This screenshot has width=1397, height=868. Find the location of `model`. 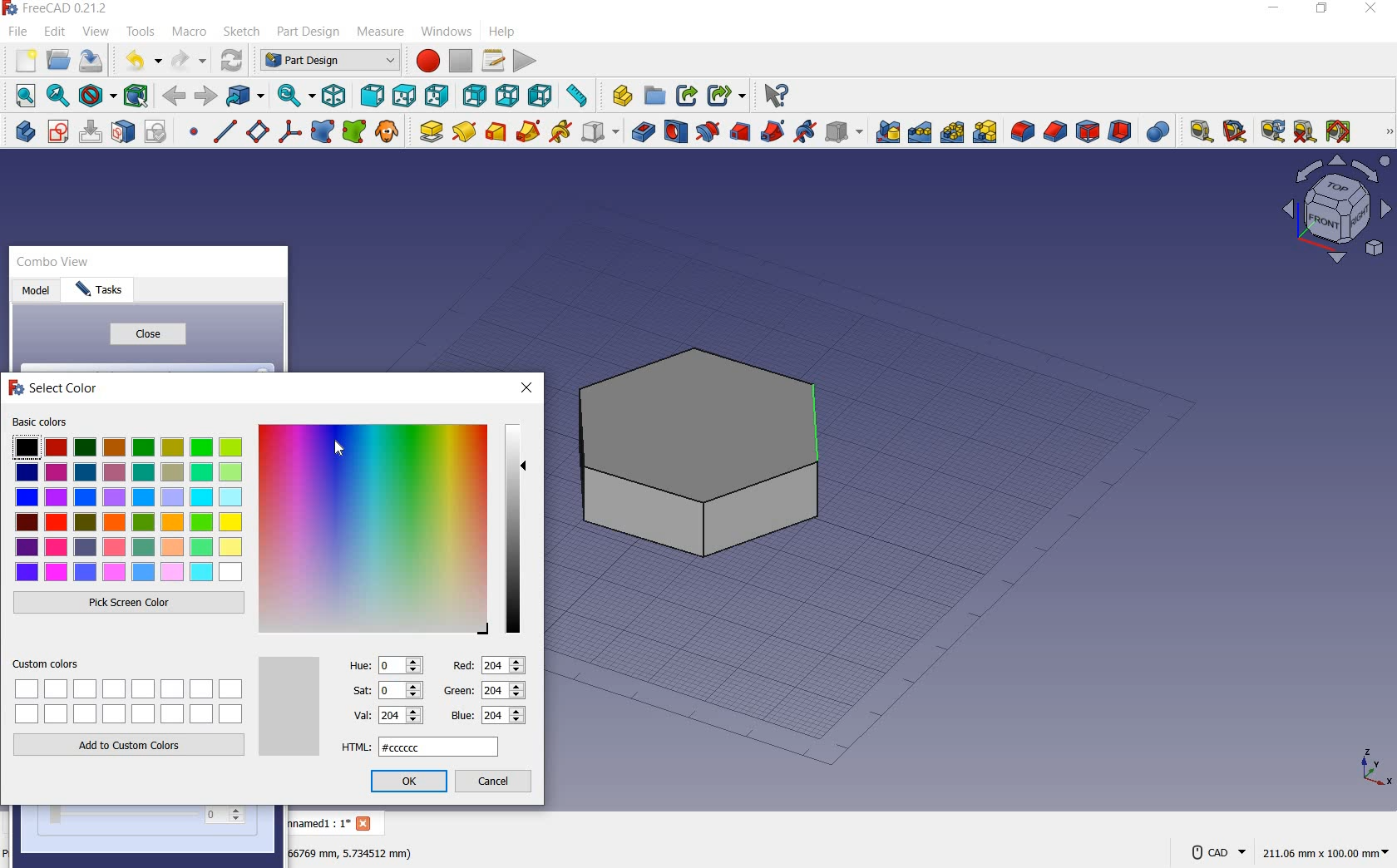

model is located at coordinates (37, 291).